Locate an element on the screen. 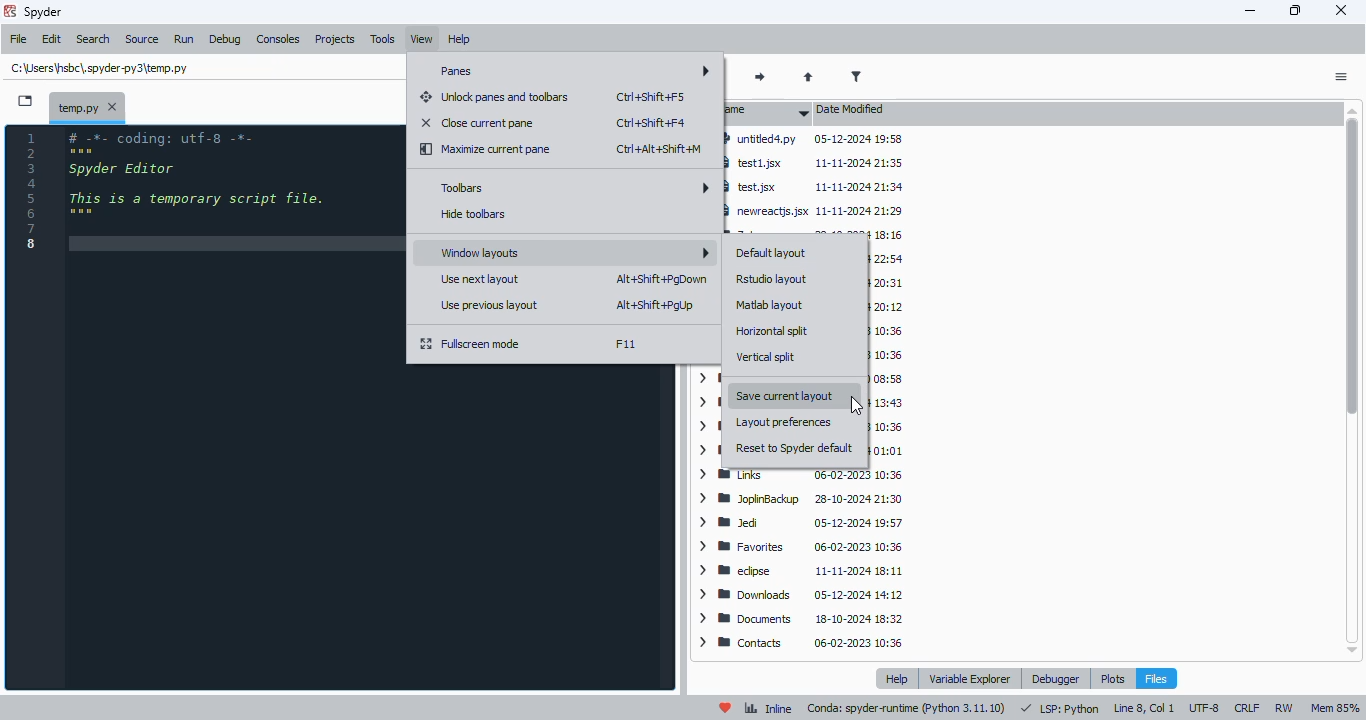 Image resolution: width=1366 pixels, height=720 pixels. shortcut for maximize current pane is located at coordinates (657, 149).